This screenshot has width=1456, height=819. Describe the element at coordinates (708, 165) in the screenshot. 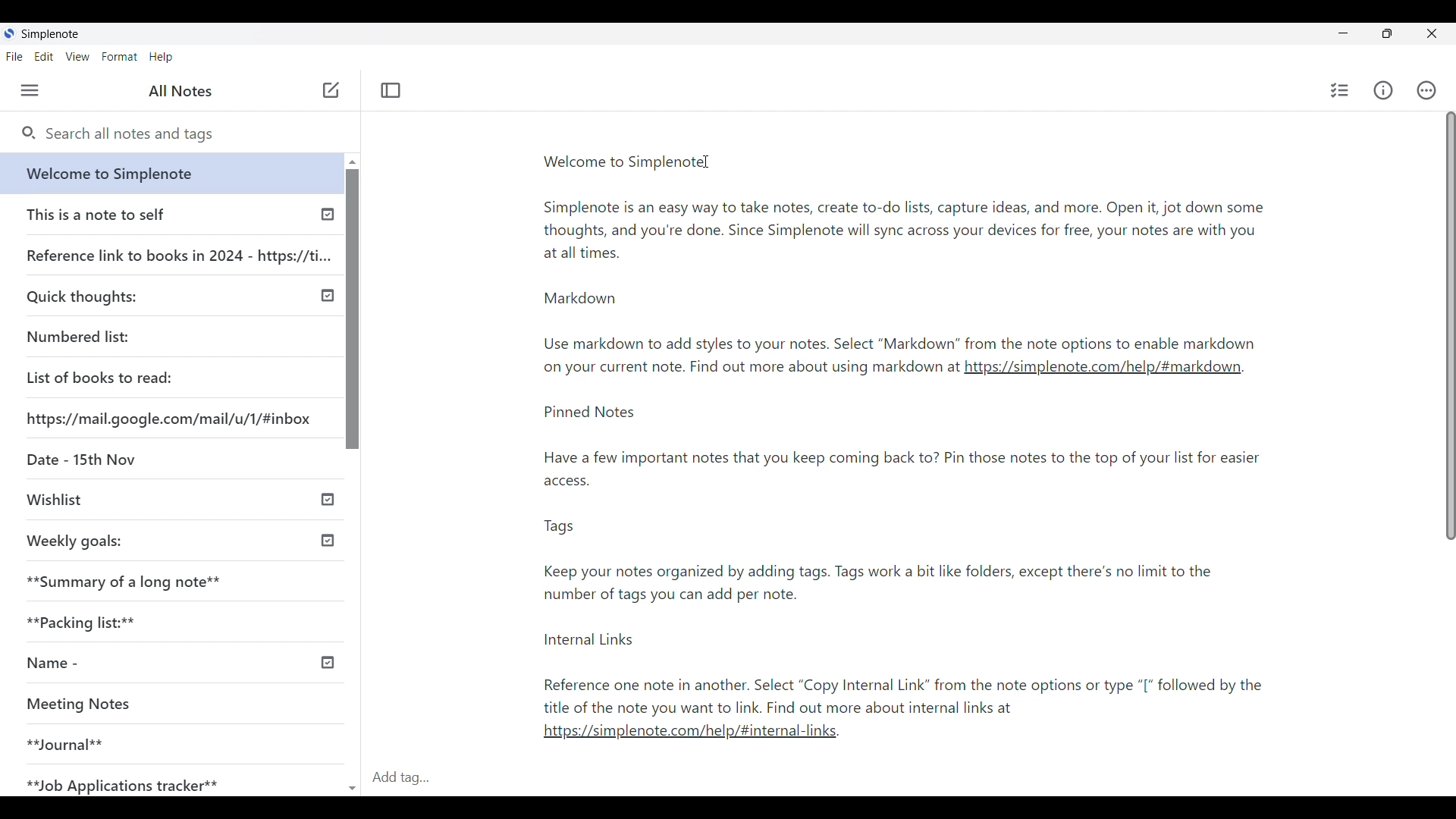

I see `cursor` at that location.